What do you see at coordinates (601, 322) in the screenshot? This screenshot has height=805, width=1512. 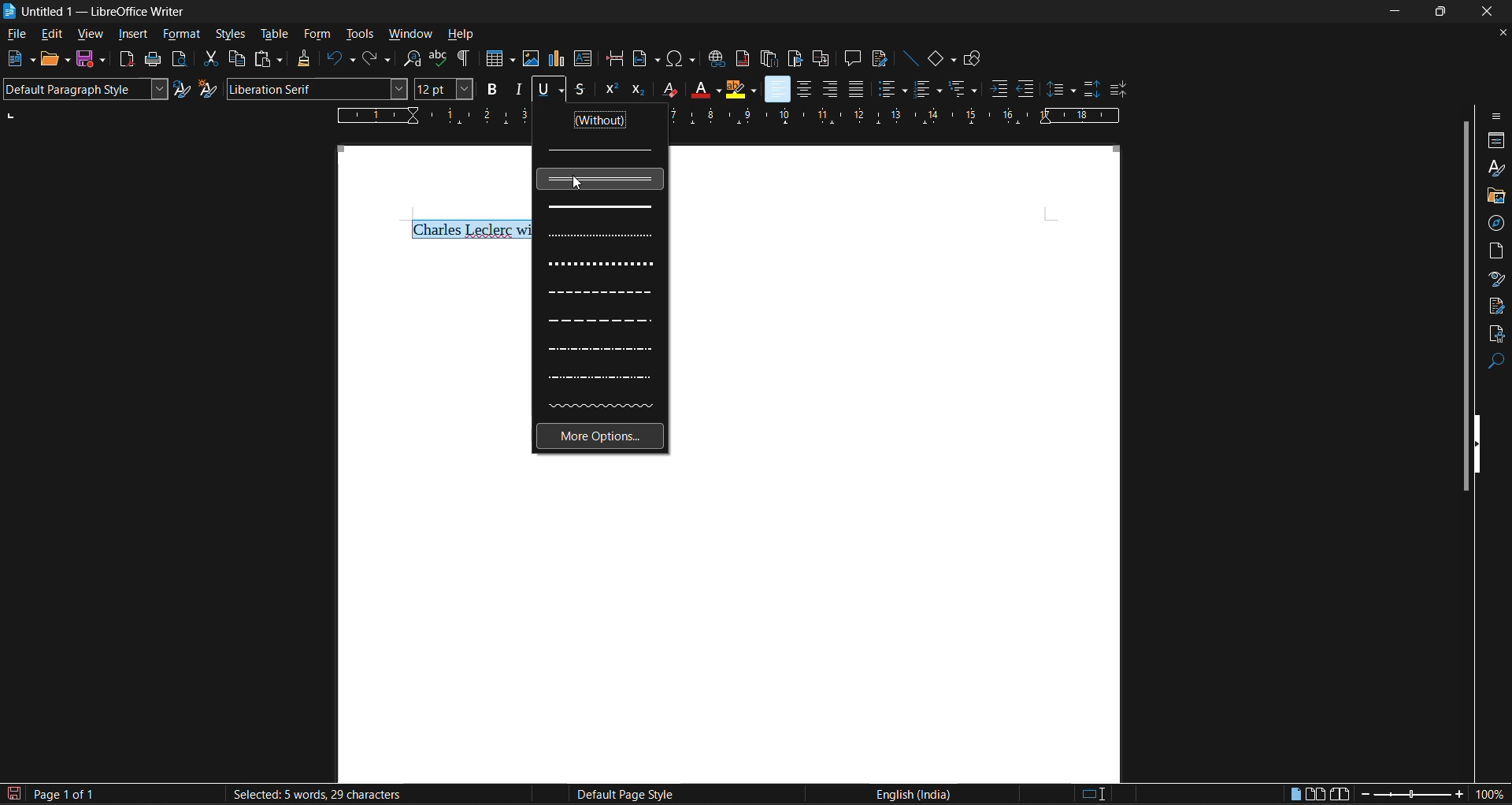 I see `long dash` at bounding box center [601, 322].